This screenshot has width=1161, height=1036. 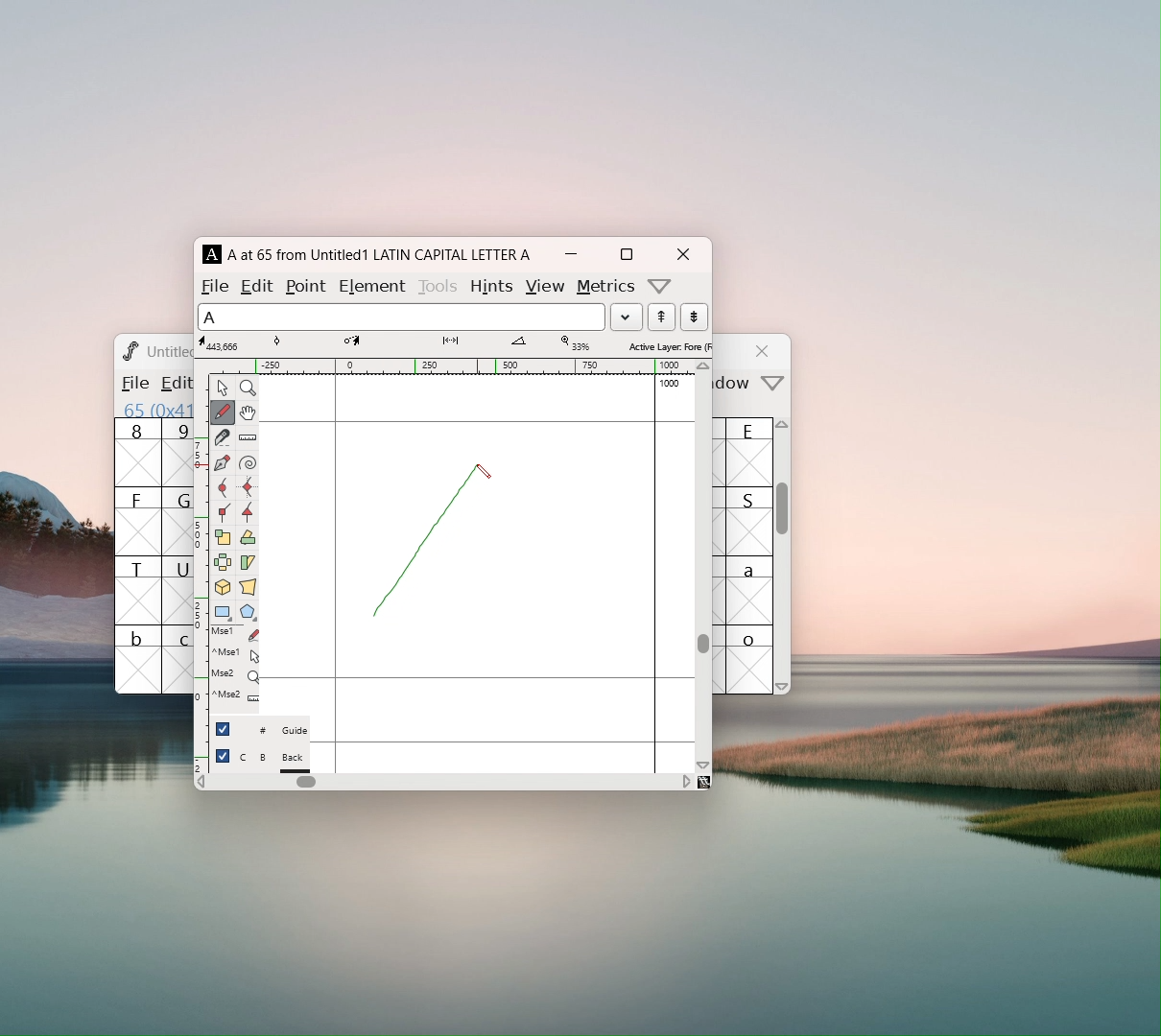 I want to click on scroll down, so click(x=703, y=765).